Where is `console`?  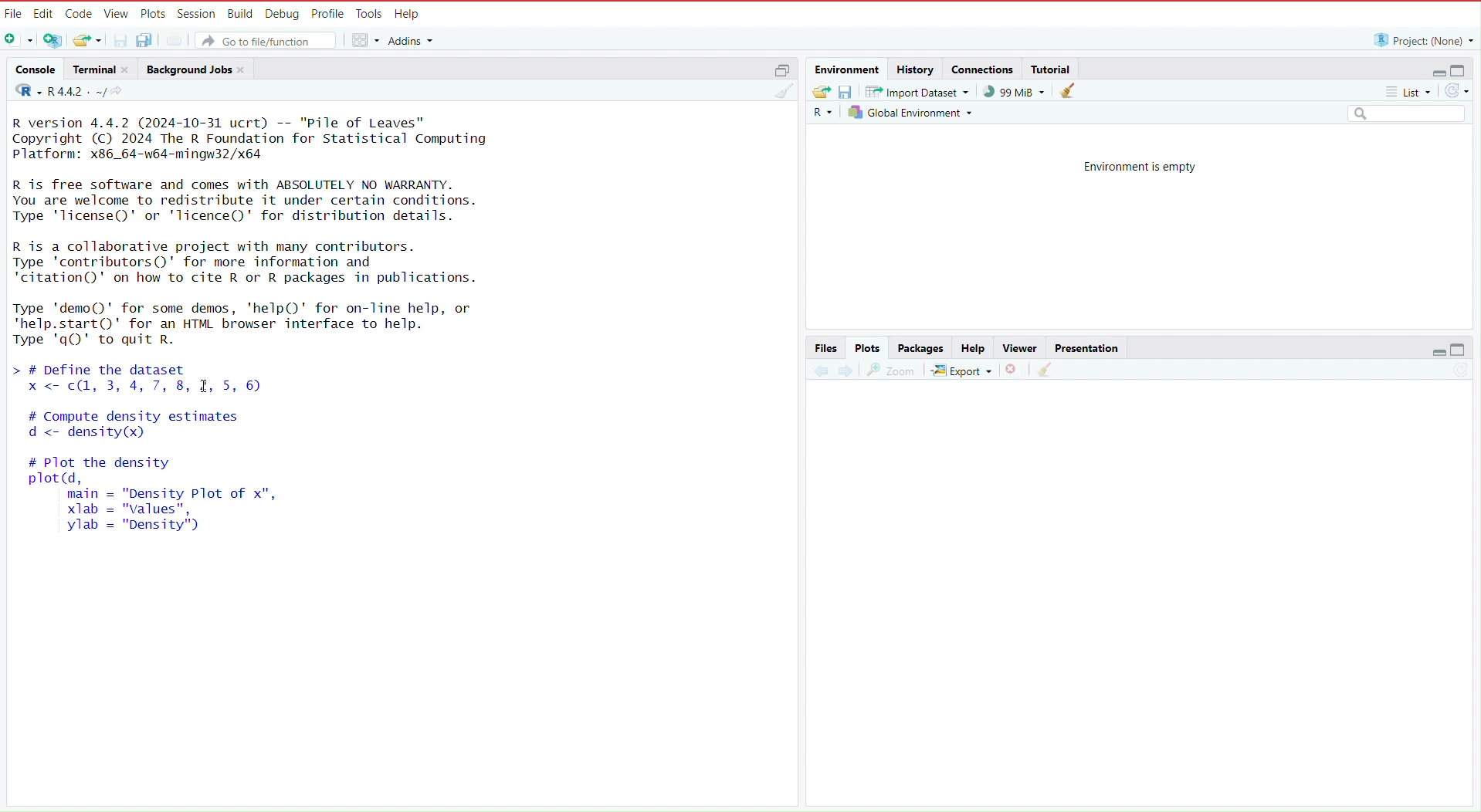 console is located at coordinates (31, 67).